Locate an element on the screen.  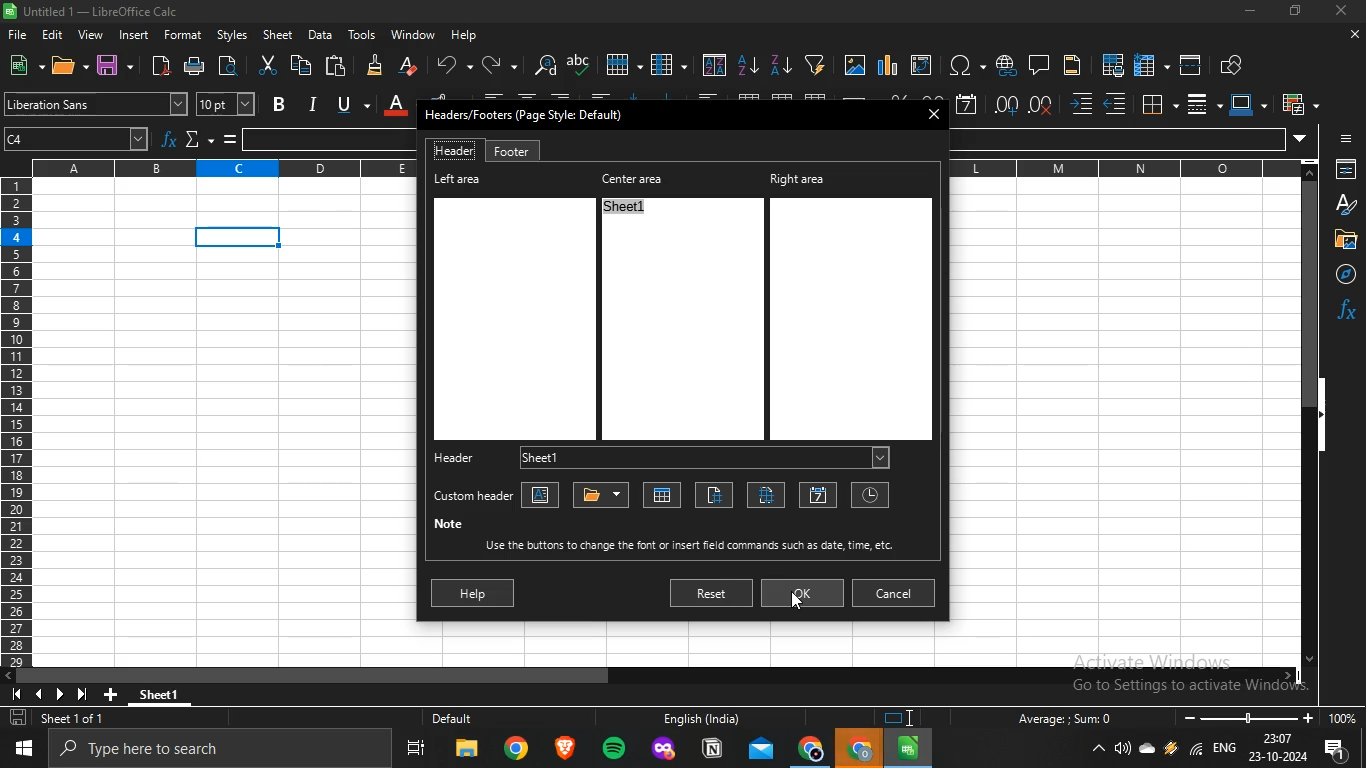
show draw functions is located at coordinates (1233, 63).